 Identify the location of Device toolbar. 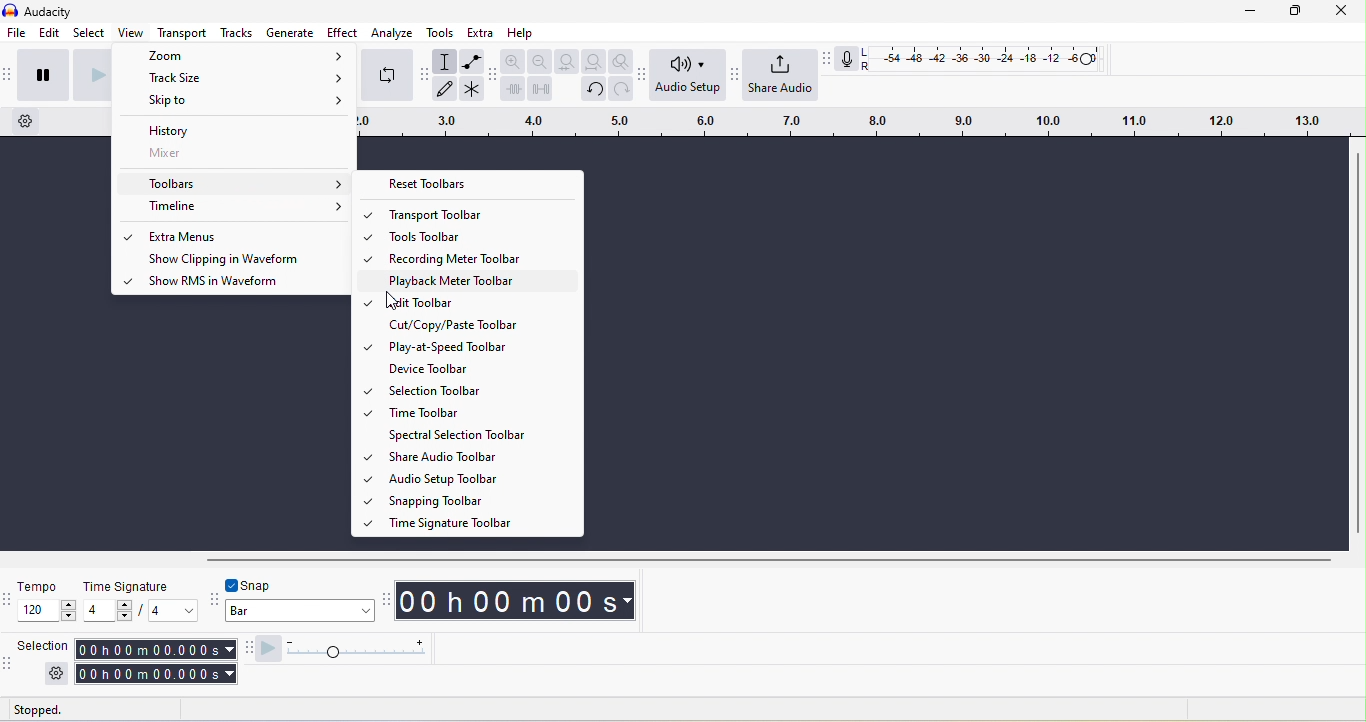
(480, 369).